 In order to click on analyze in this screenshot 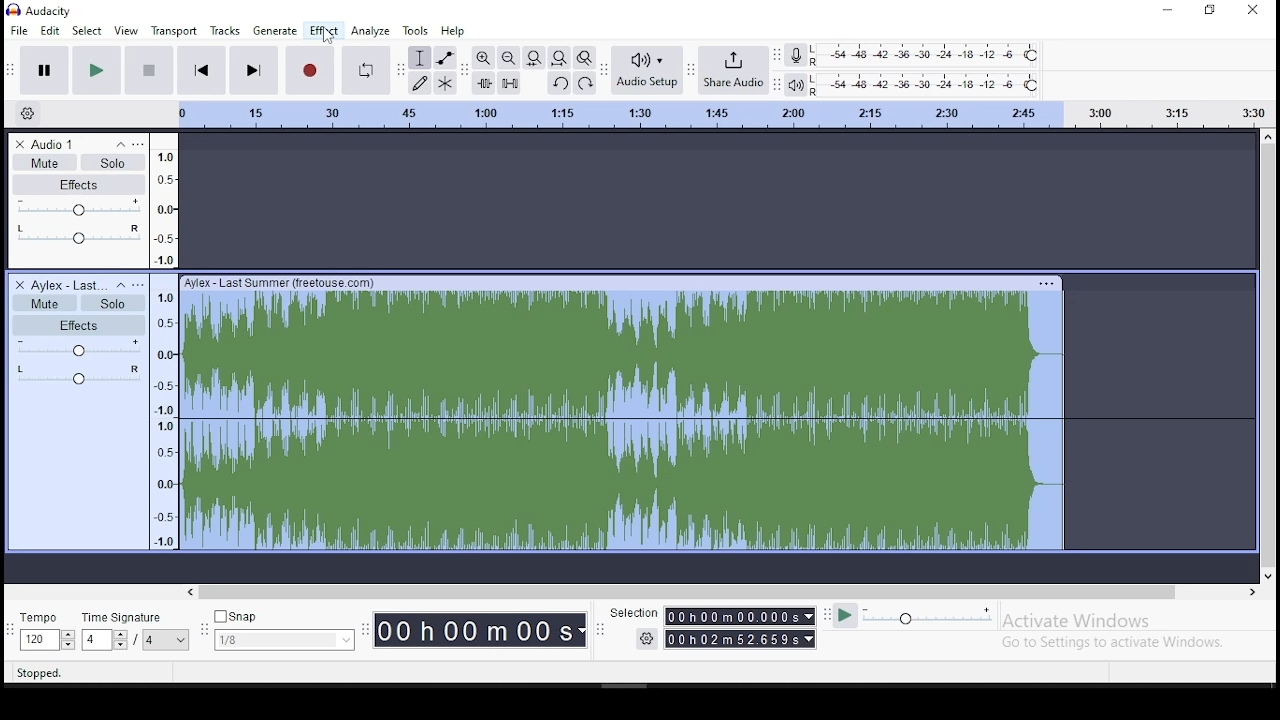, I will do `click(371, 30)`.